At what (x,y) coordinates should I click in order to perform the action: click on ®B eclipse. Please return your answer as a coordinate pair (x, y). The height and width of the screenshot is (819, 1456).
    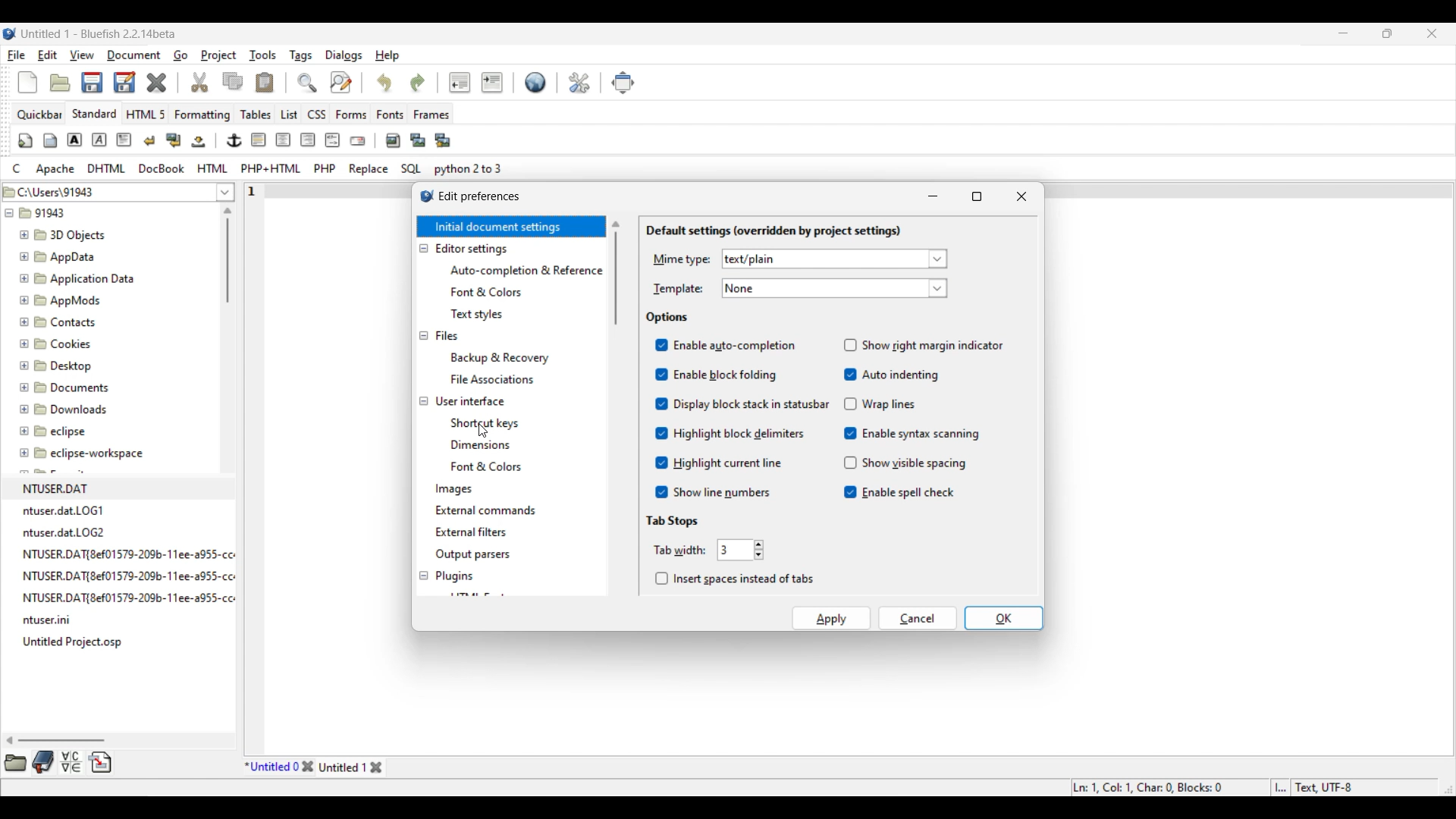
    Looking at the image, I should click on (53, 431).